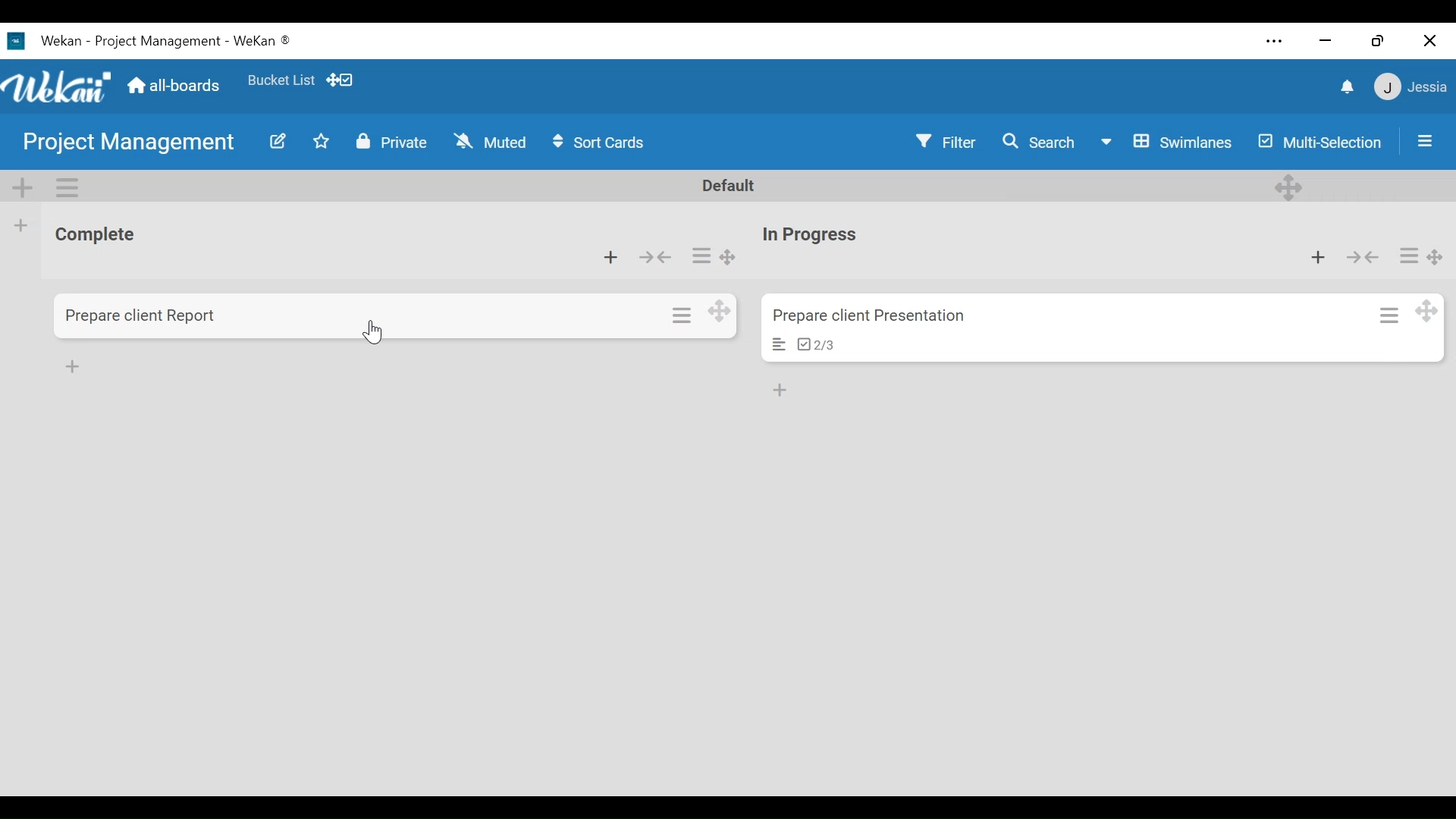  Describe the element at coordinates (22, 225) in the screenshot. I see `Add list` at that location.